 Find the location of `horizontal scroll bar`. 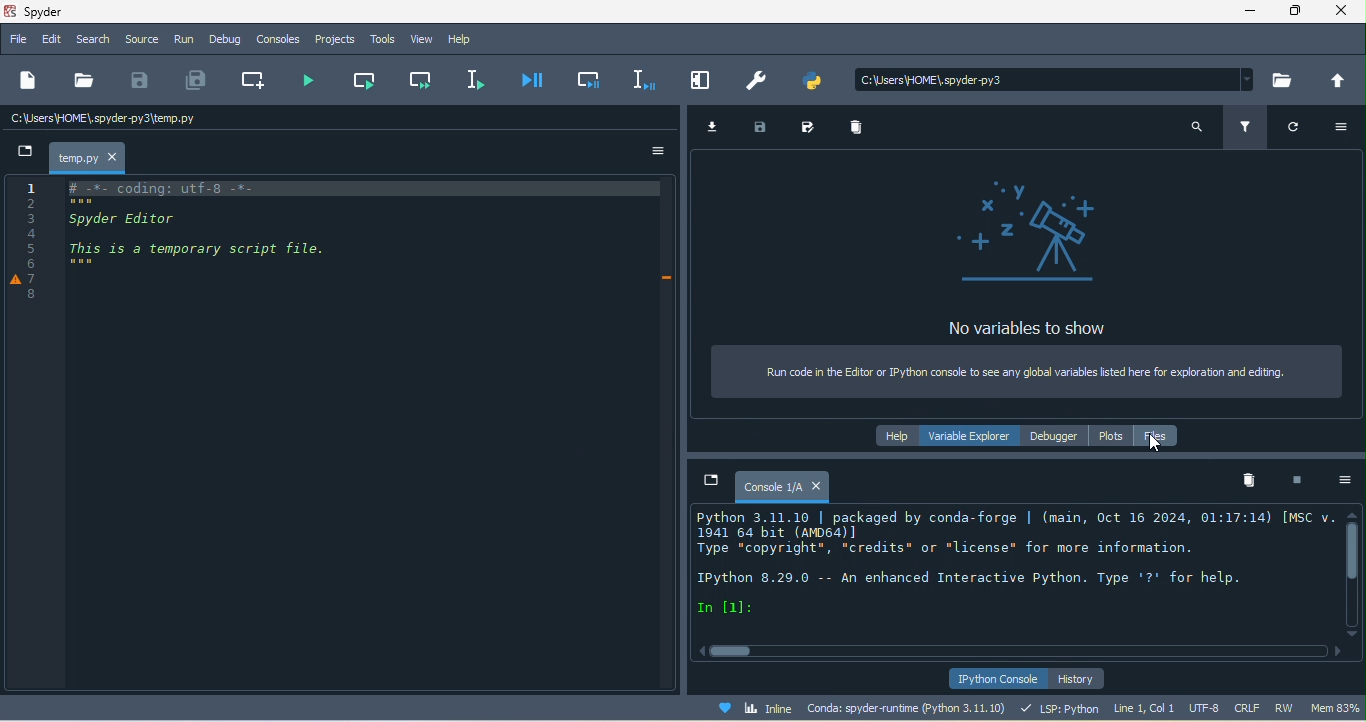

horizontal scroll bar is located at coordinates (1017, 653).